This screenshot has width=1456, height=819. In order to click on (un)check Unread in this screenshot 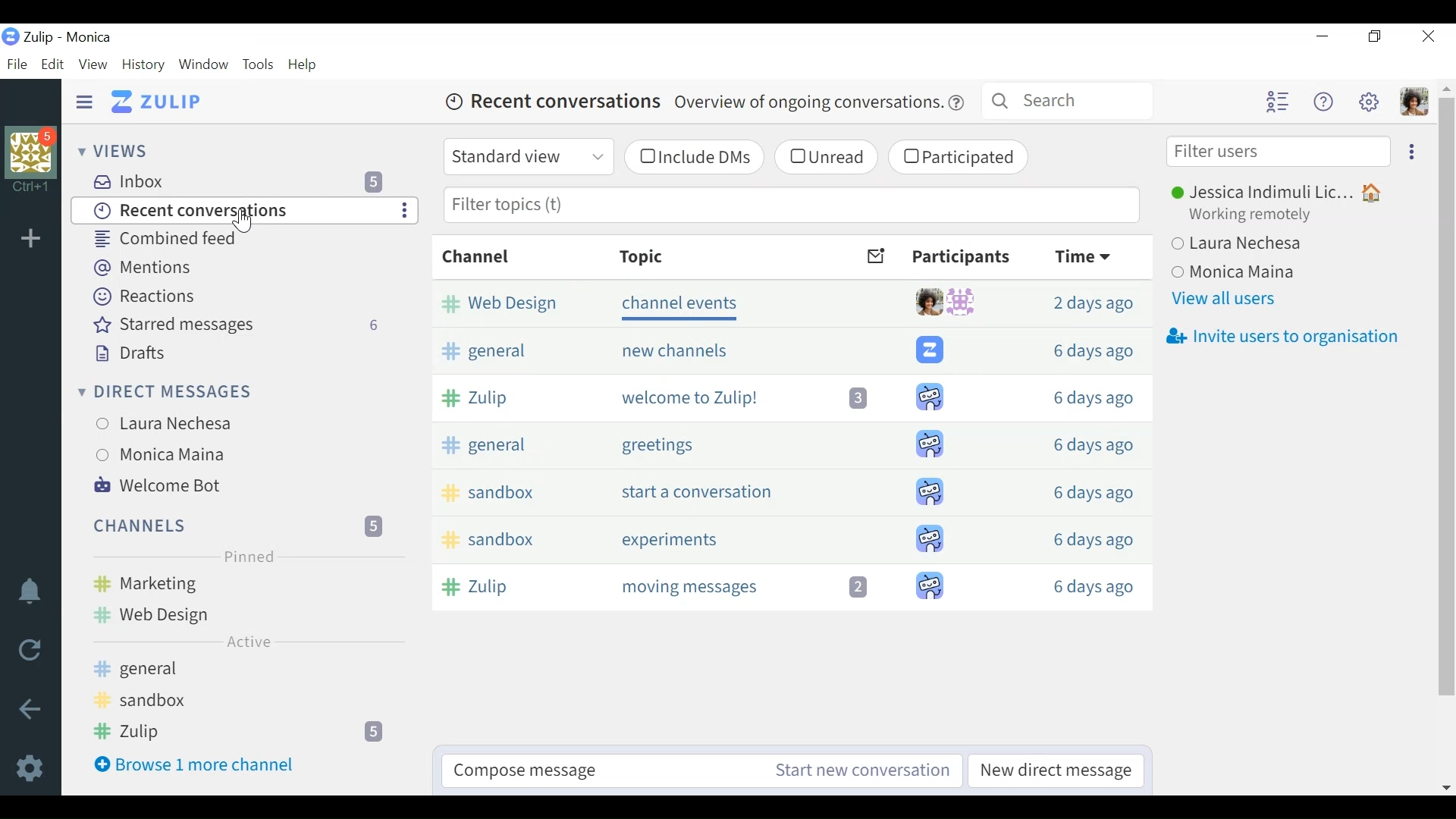, I will do `click(826, 157)`.